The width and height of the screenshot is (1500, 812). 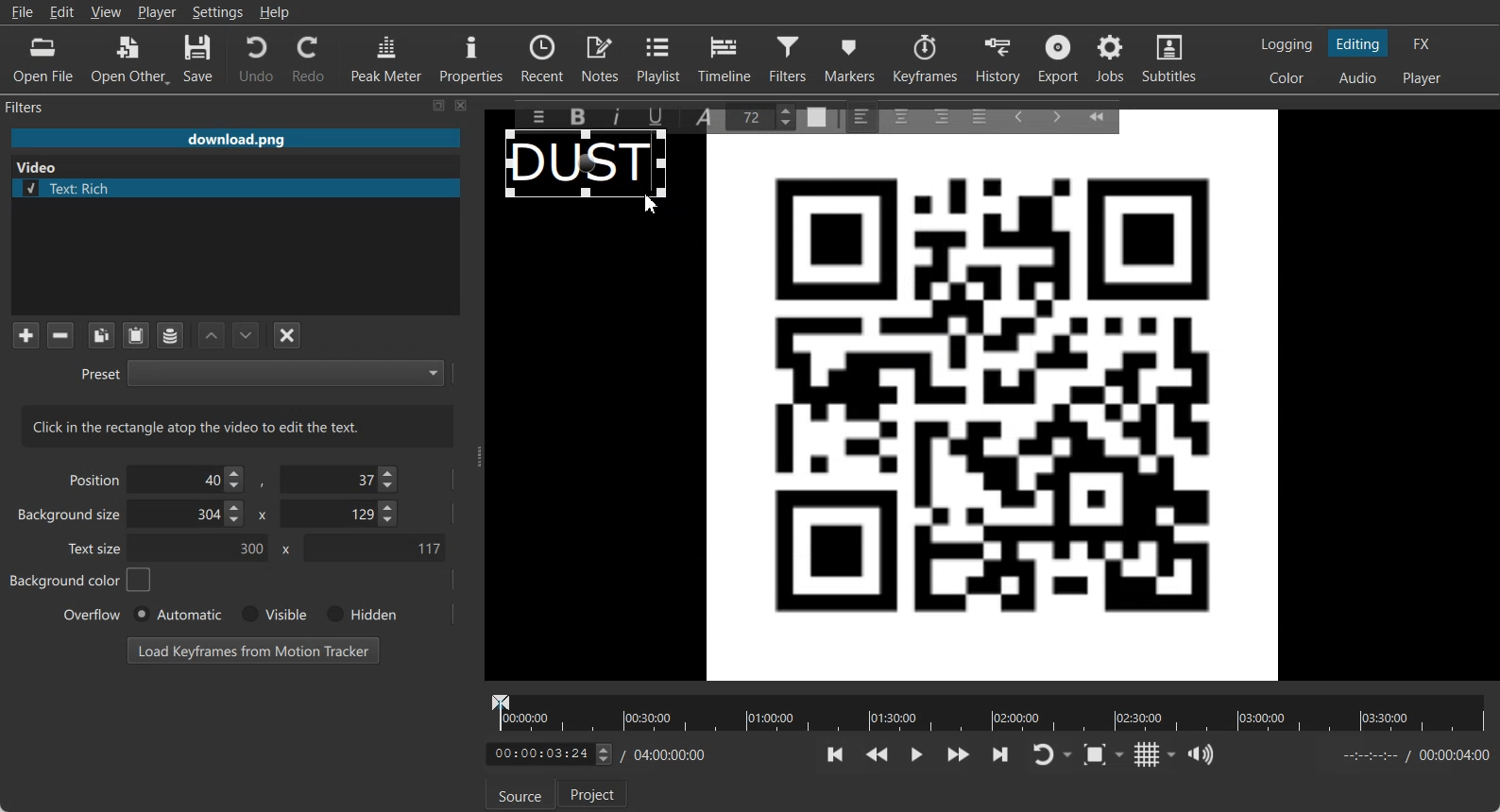 I want to click on Menu, so click(x=534, y=116).